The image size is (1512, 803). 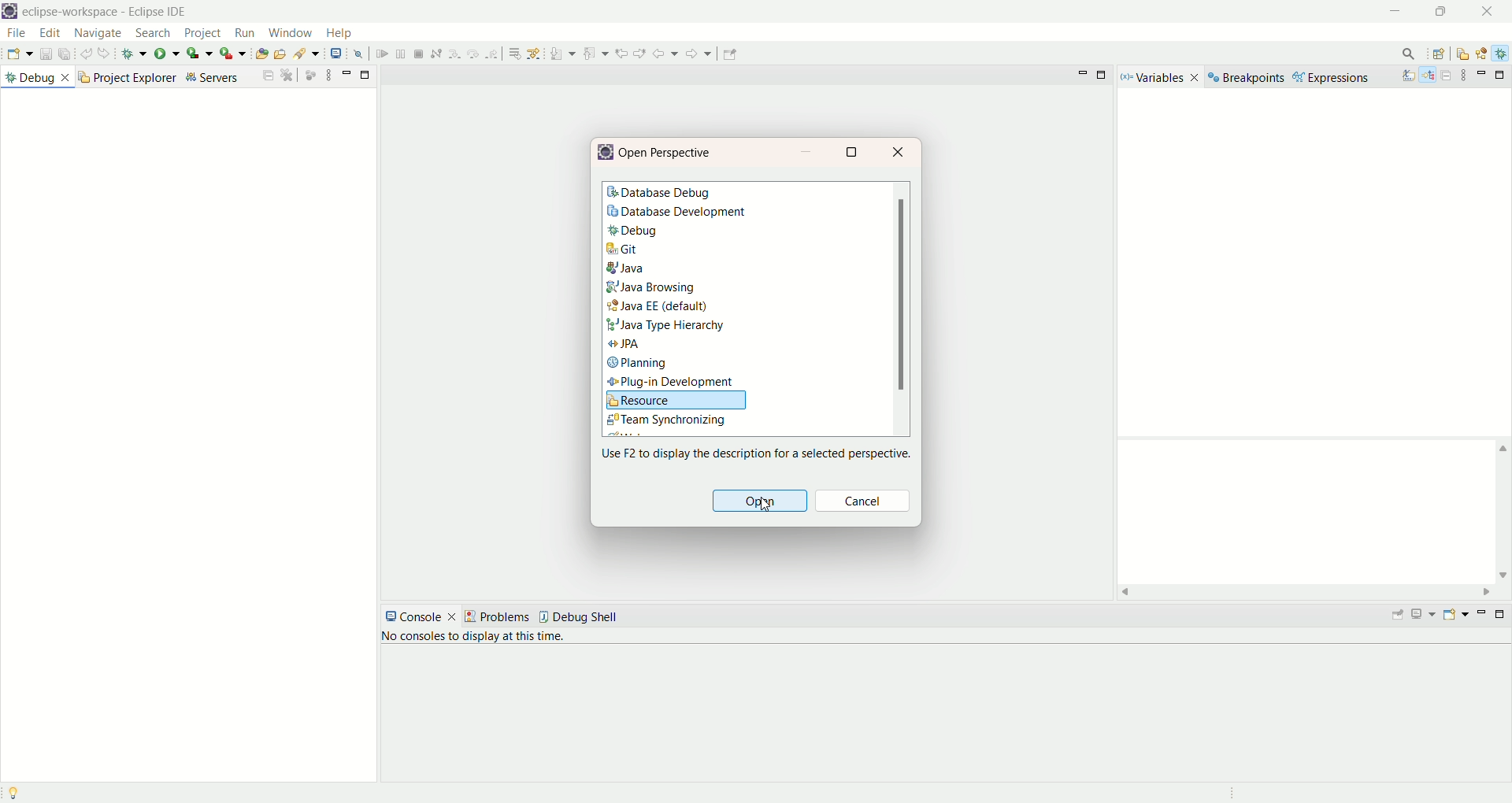 I want to click on project, so click(x=204, y=33).